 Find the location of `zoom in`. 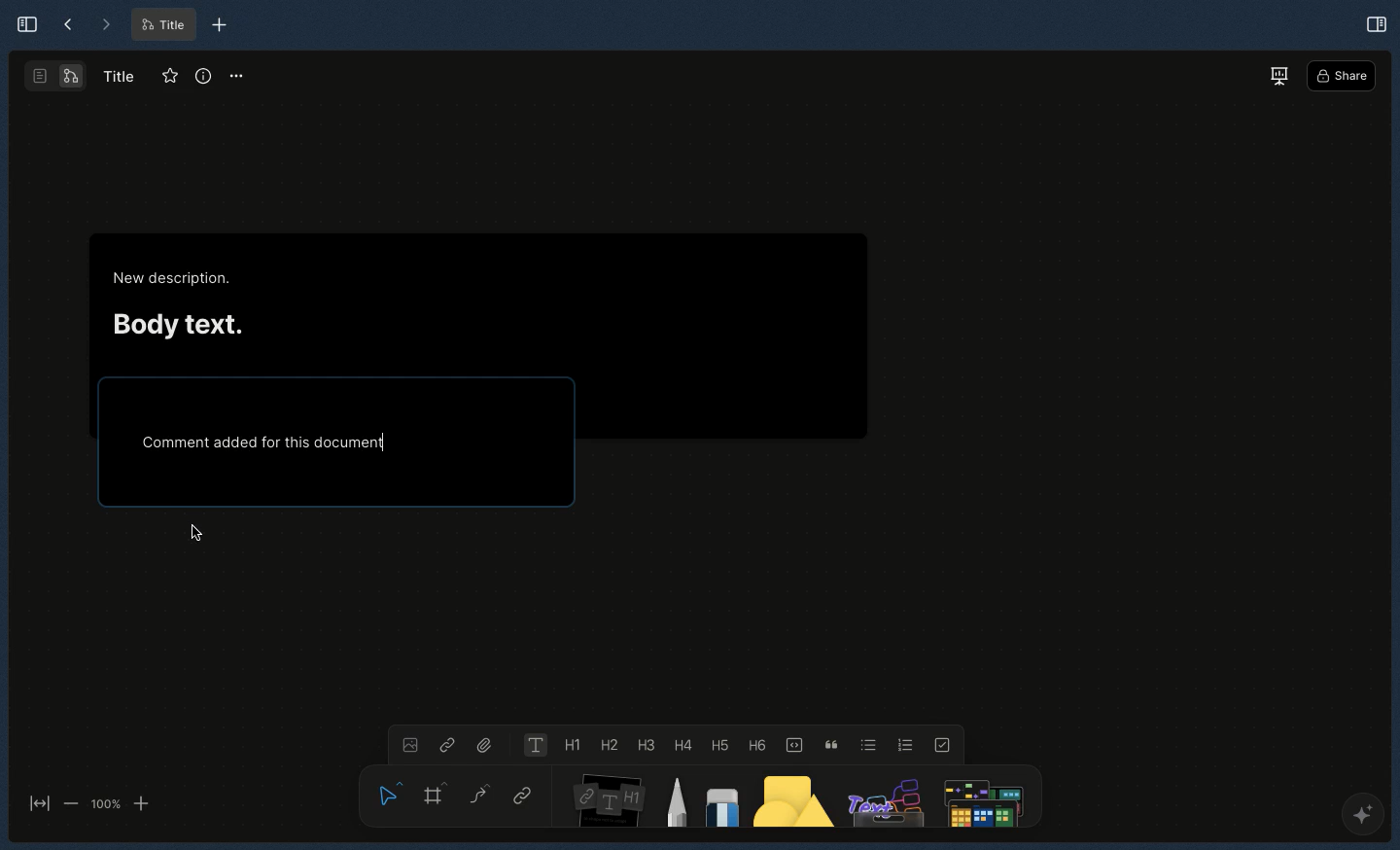

zoom in is located at coordinates (141, 804).